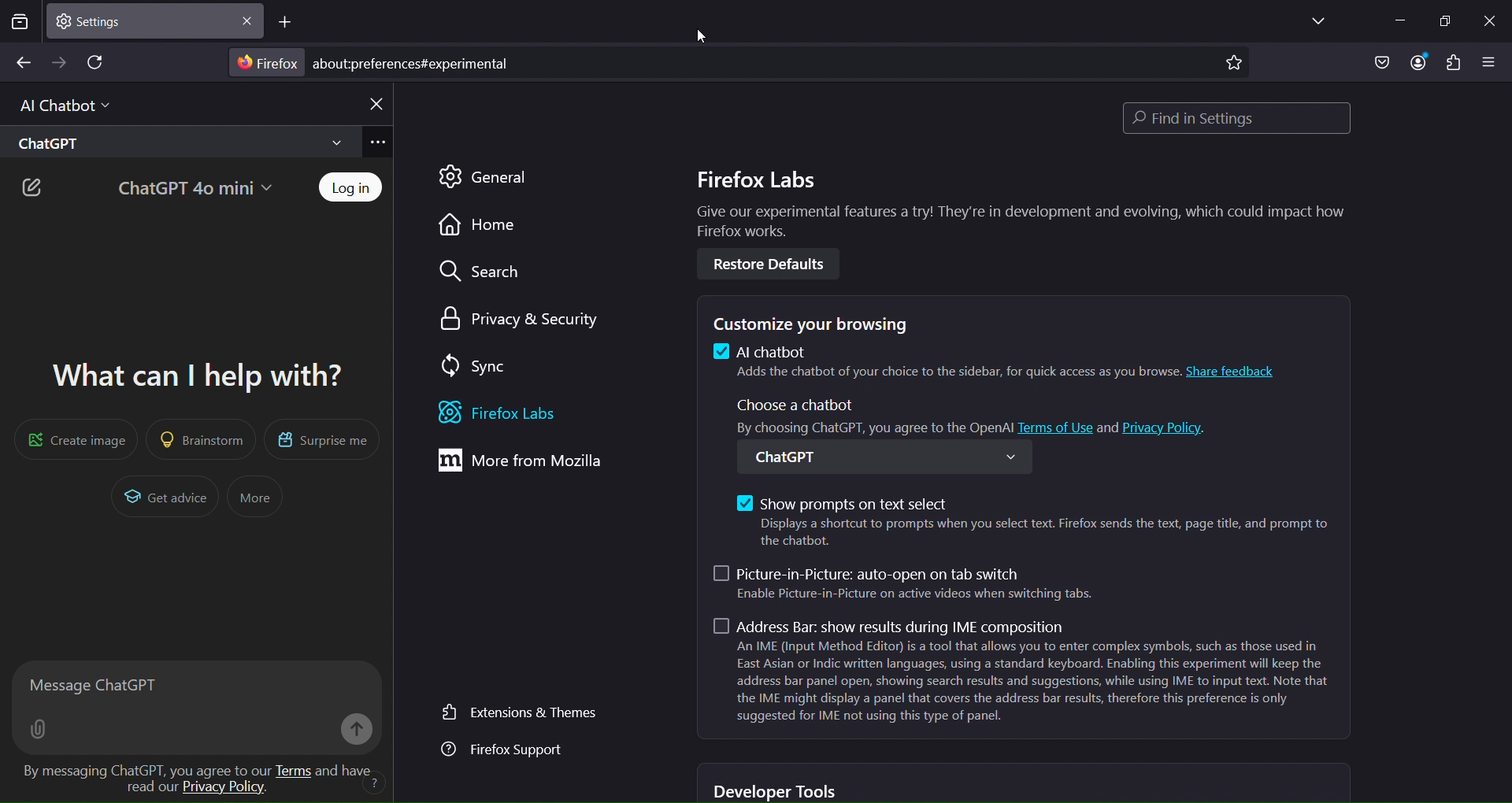 The image size is (1512, 803). What do you see at coordinates (42, 730) in the screenshot?
I see `attach files` at bounding box center [42, 730].